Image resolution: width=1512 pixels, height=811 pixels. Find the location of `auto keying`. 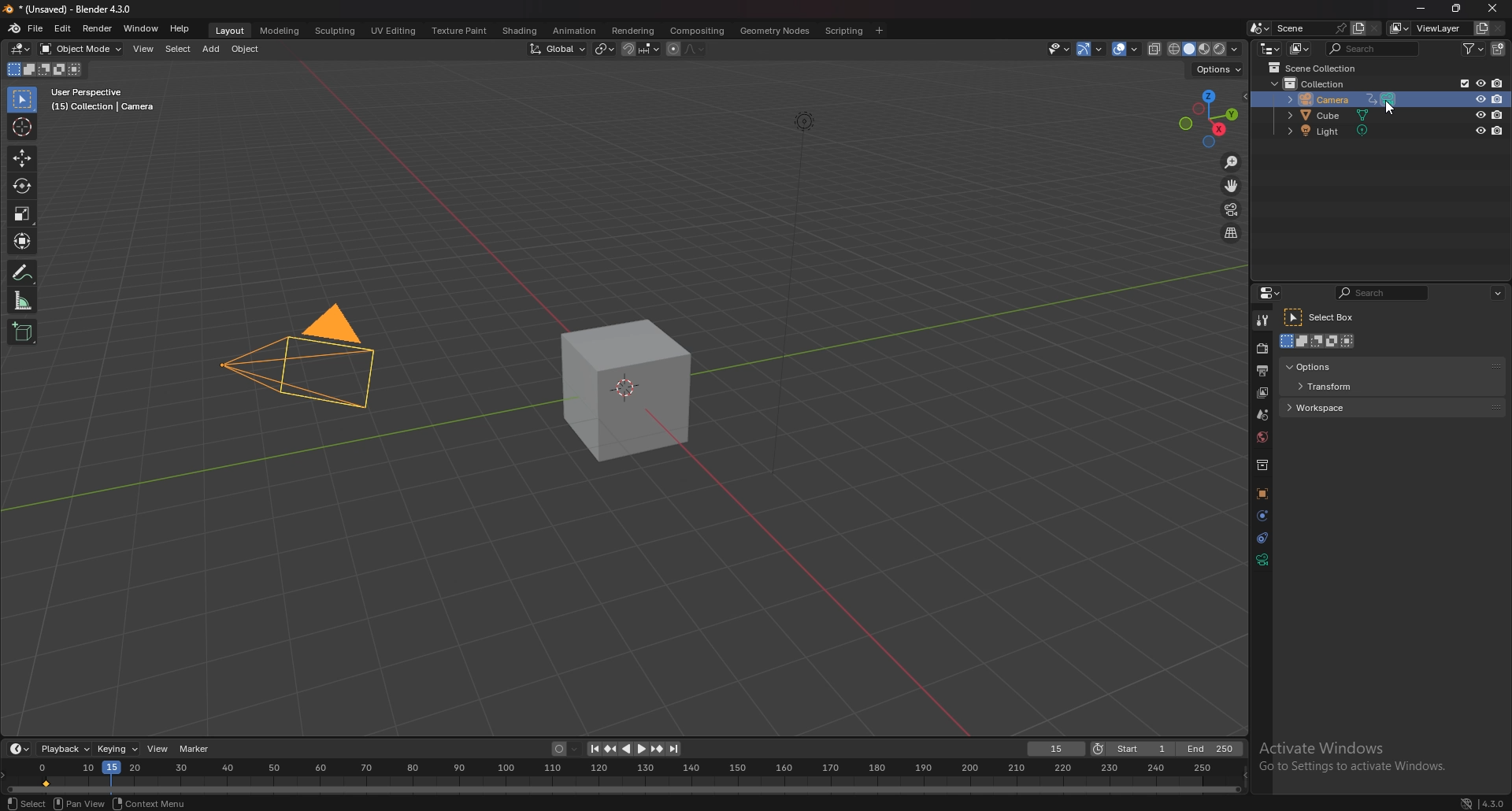

auto keying is located at coordinates (565, 749).